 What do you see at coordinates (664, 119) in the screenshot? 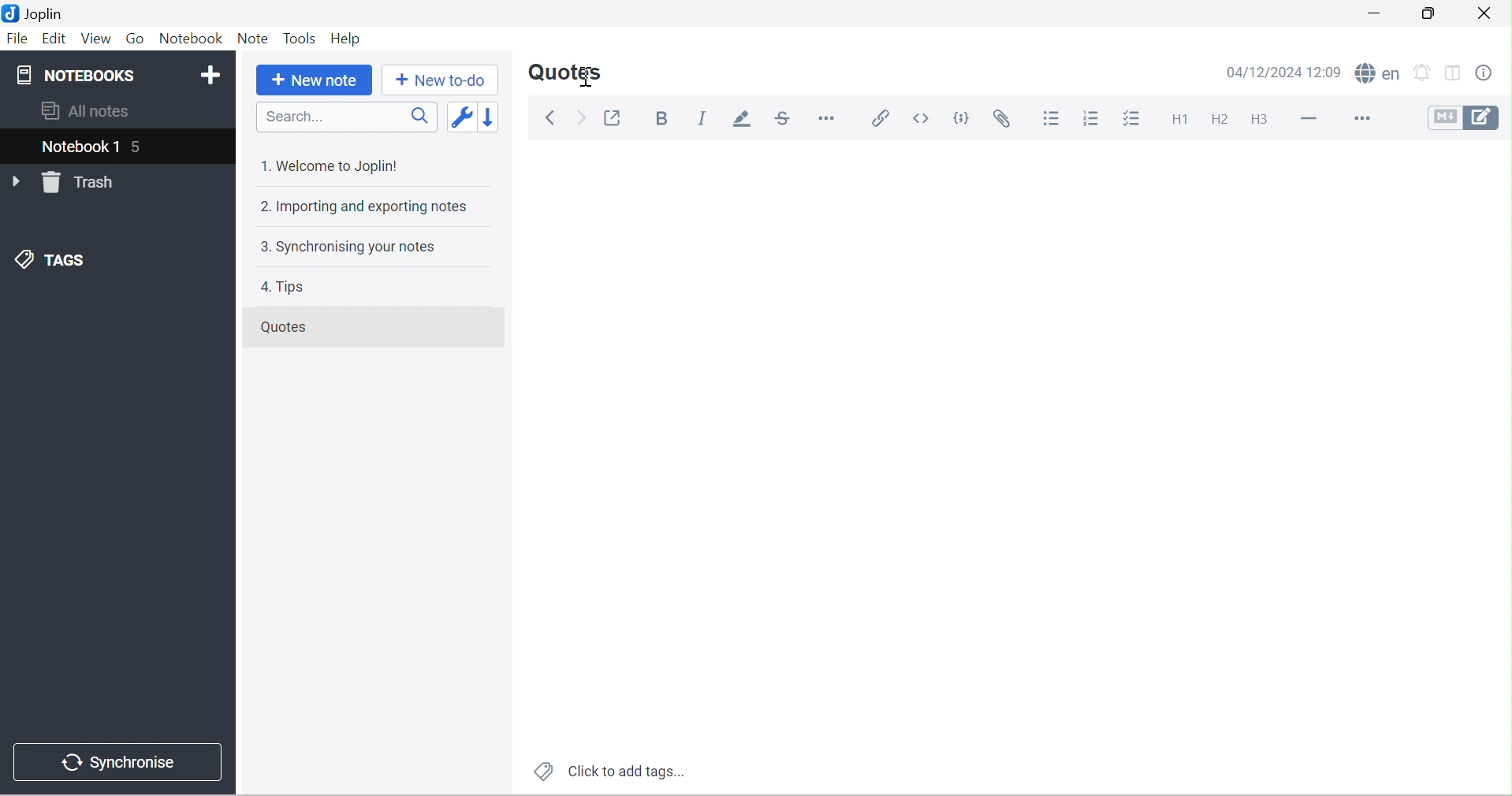
I see `Bold` at bounding box center [664, 119].